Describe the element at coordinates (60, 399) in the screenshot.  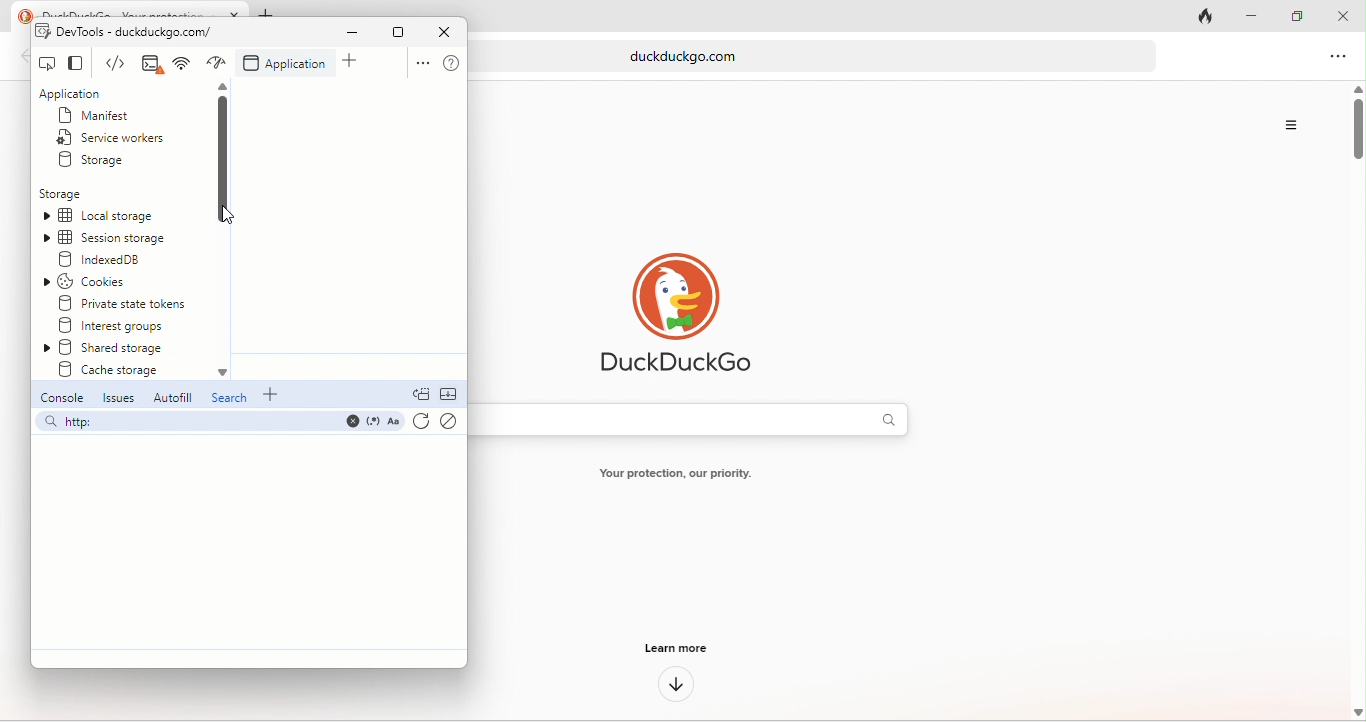
I see `console` at that location.